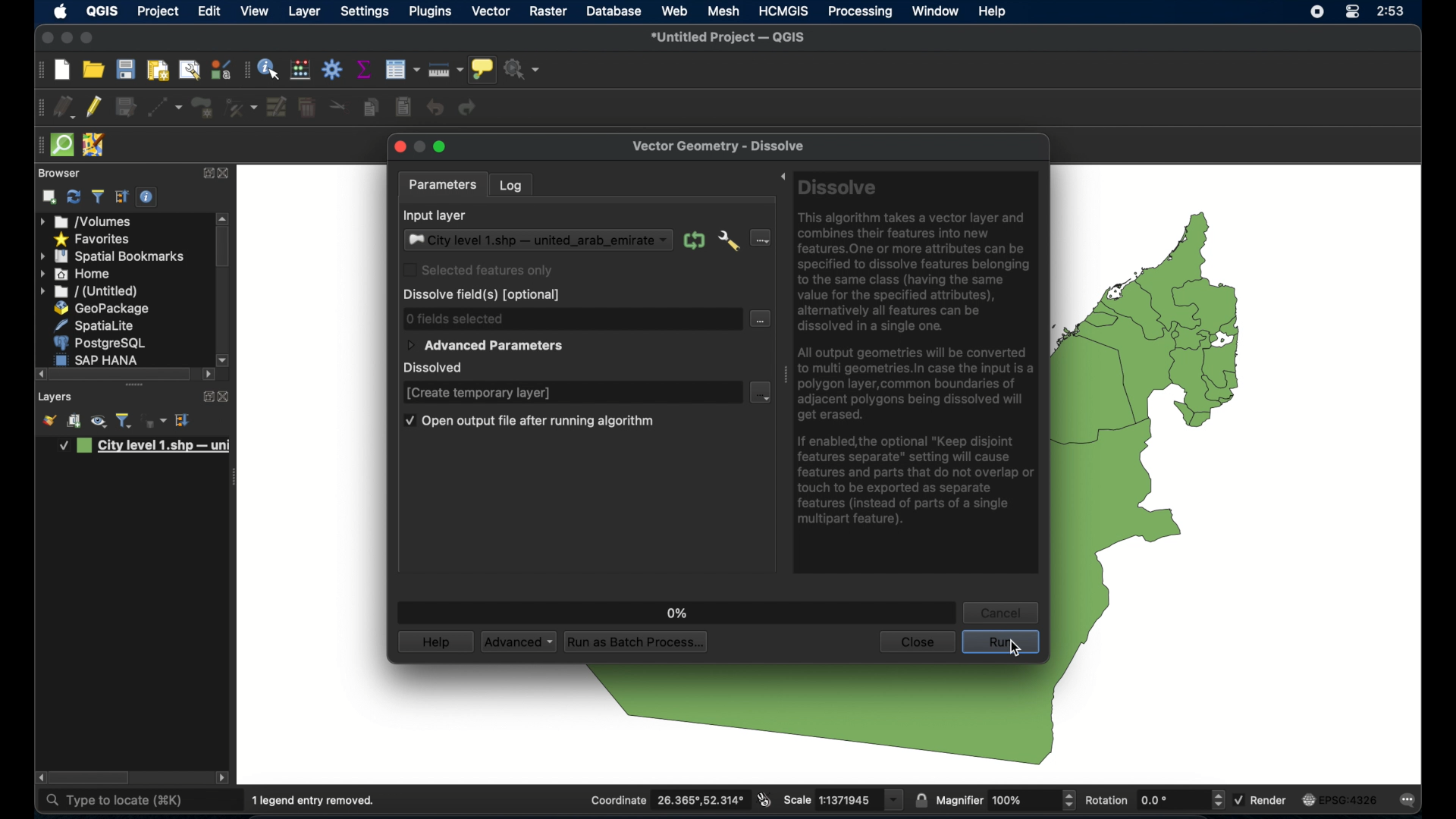 The width and height of the screenshot is (1456, 819). Describe the element at coordinates (38, 145) in the screenshot. I see `drag handle` at that location.